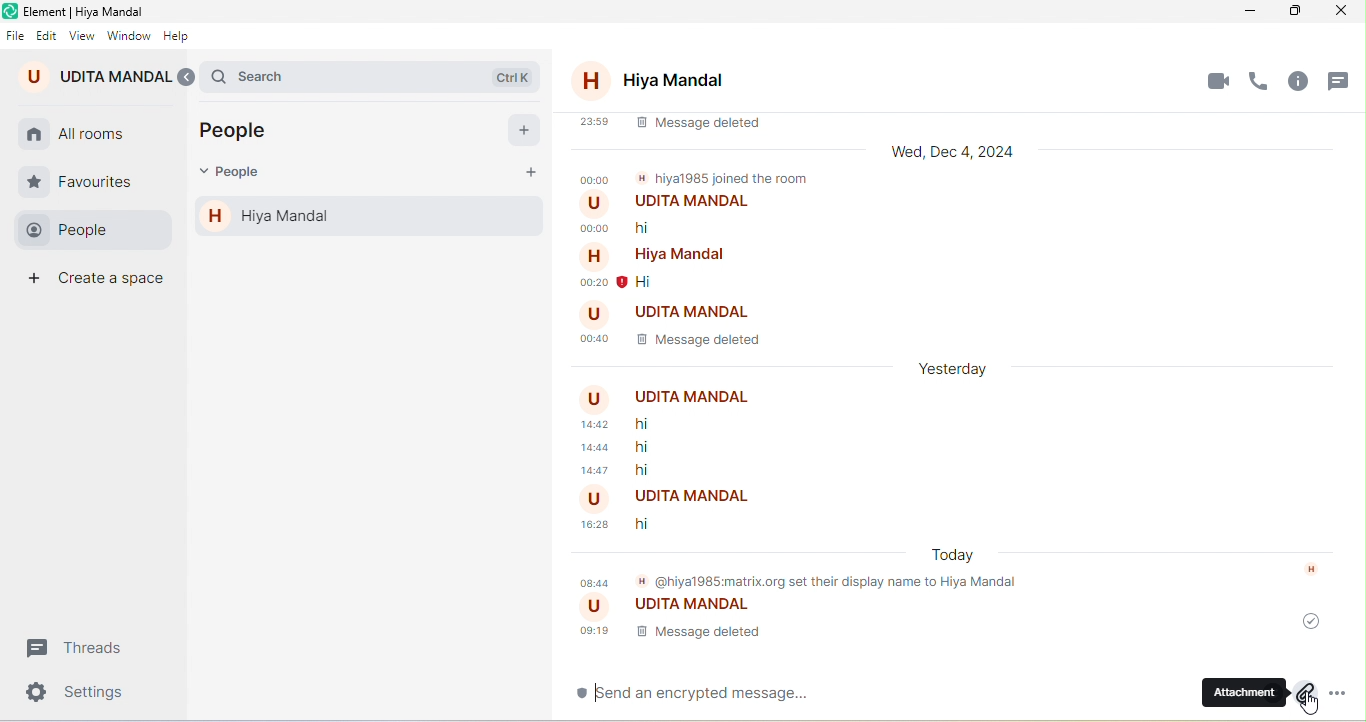  Describe the element at coordinates (594, 471) in the screenshot. I see `time` at that location.